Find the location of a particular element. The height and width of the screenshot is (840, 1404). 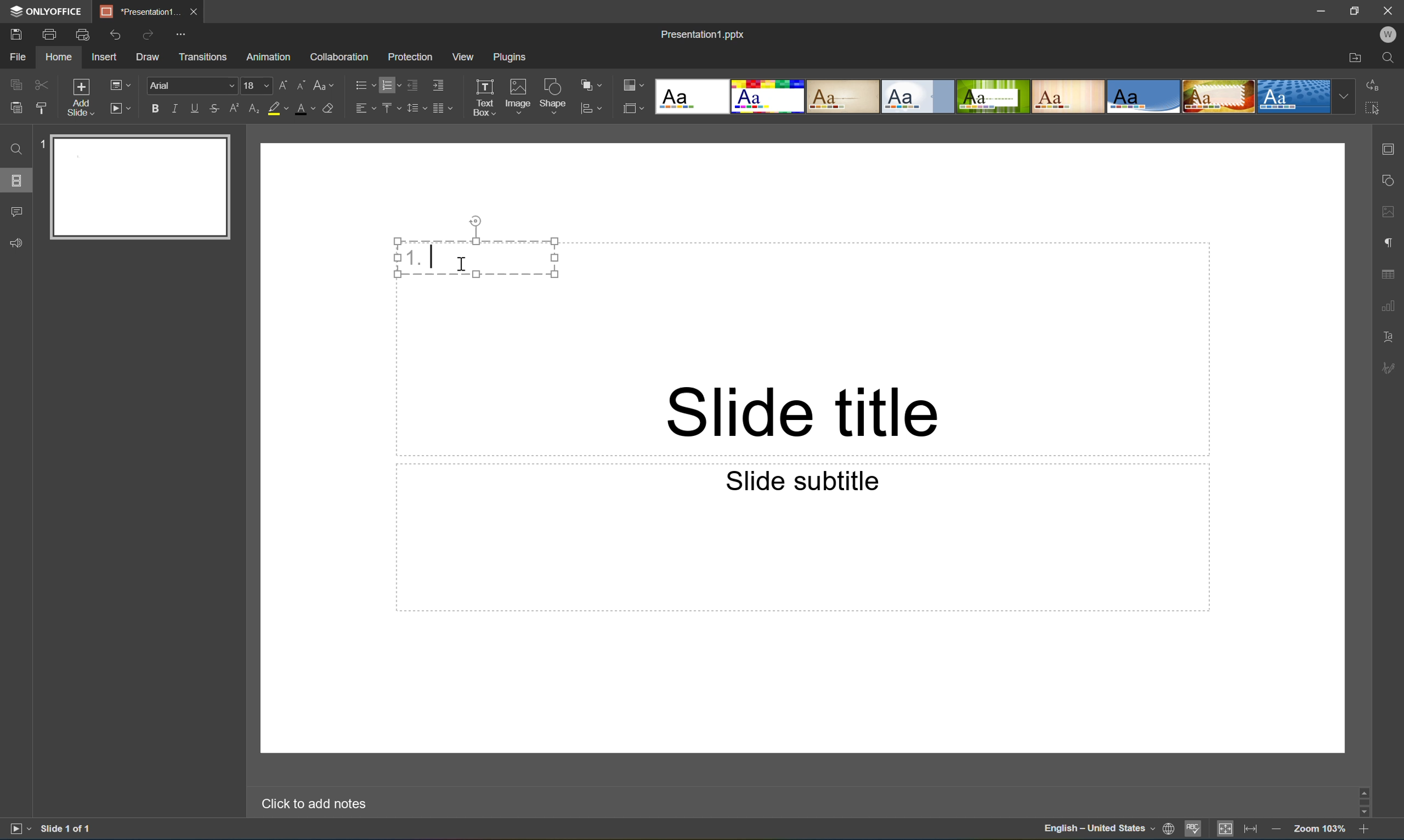

Insert is located at coordinates (104, 57).